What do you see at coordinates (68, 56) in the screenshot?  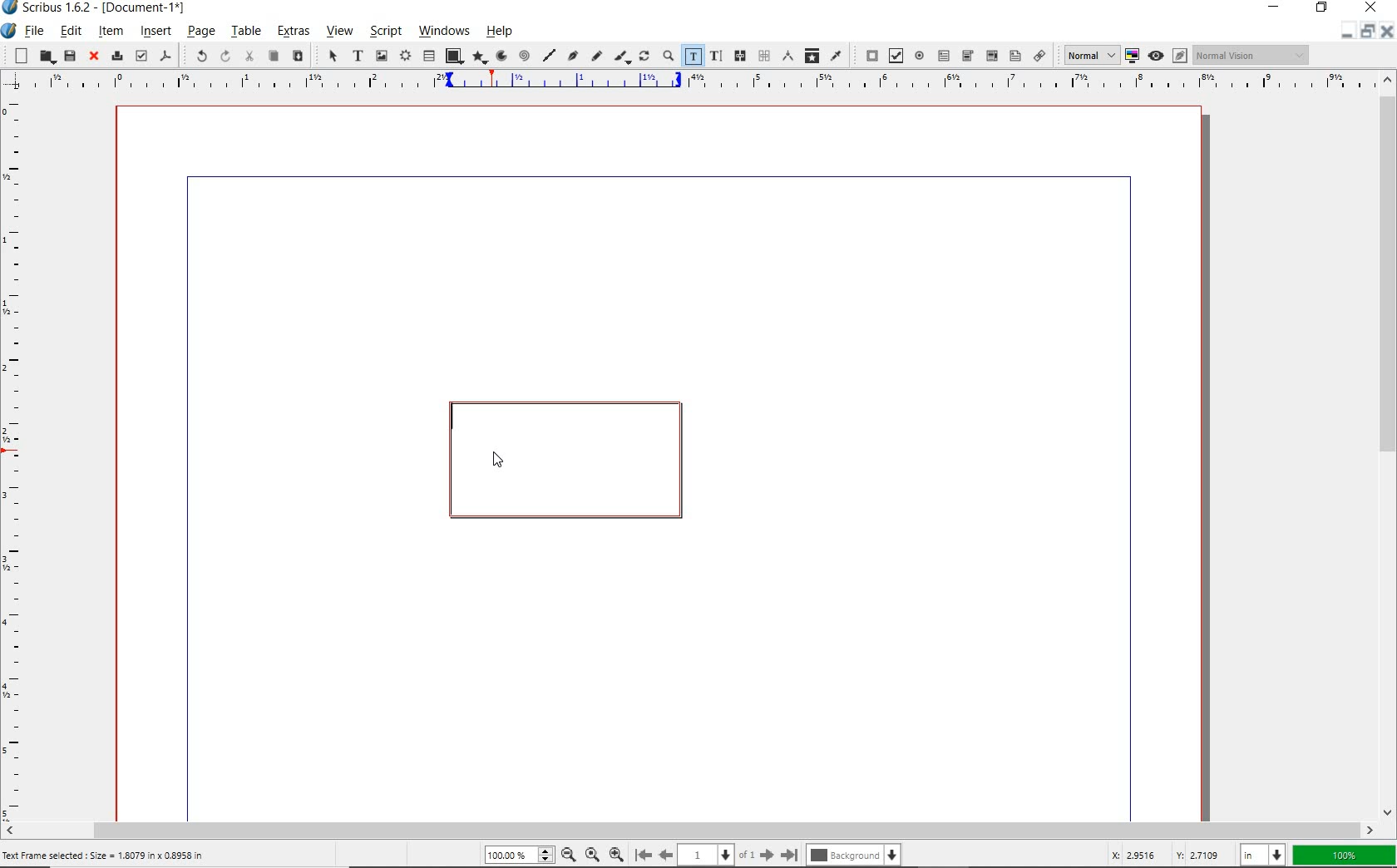 I see `save` at bounding box center [68, 56].